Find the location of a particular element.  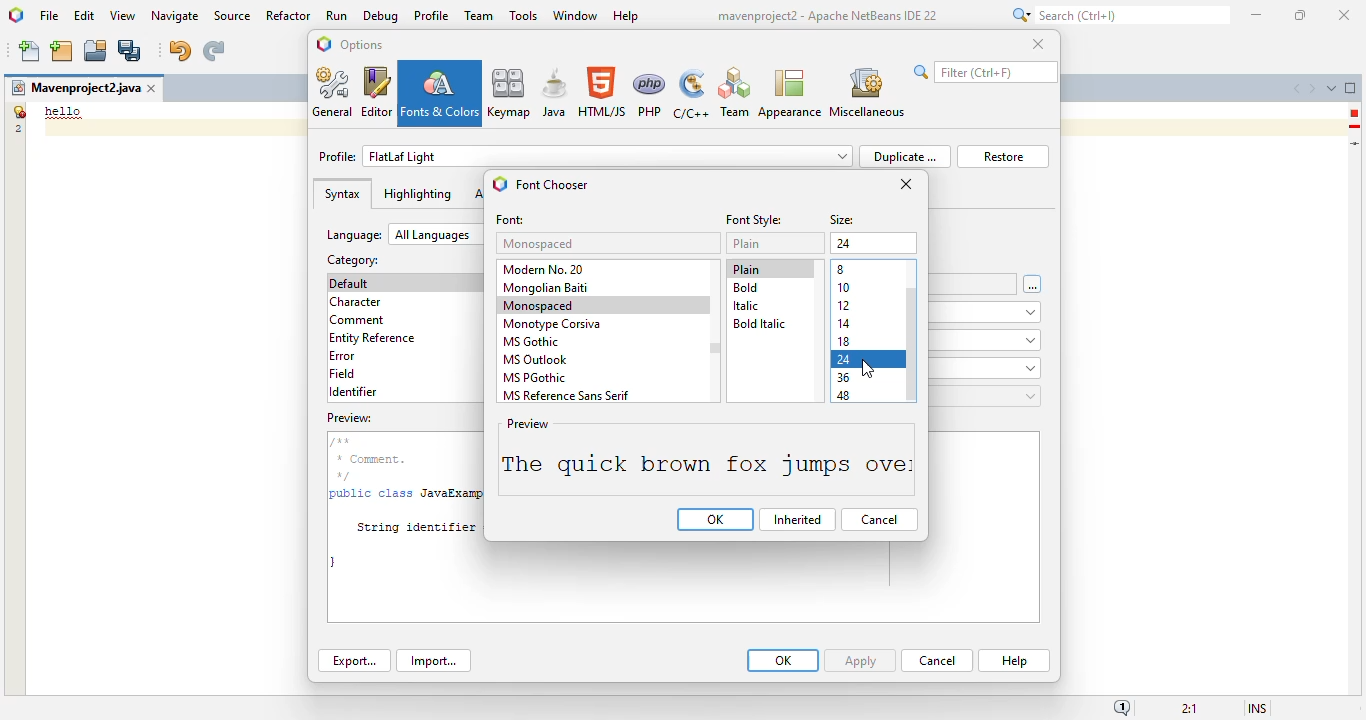

view is located at coordinates (123, 16).